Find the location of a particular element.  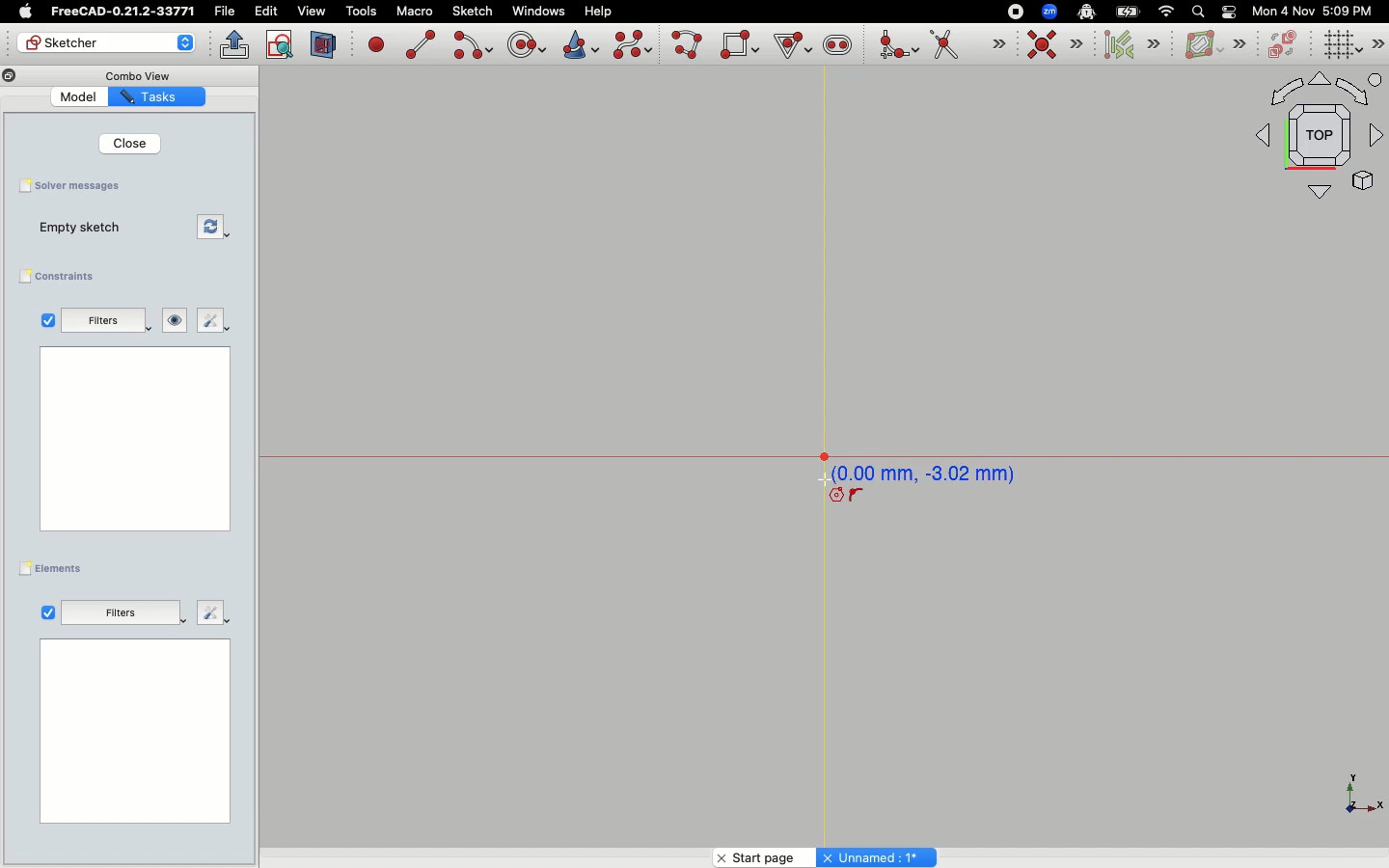

Cursor is located at coordinates (821, 476).